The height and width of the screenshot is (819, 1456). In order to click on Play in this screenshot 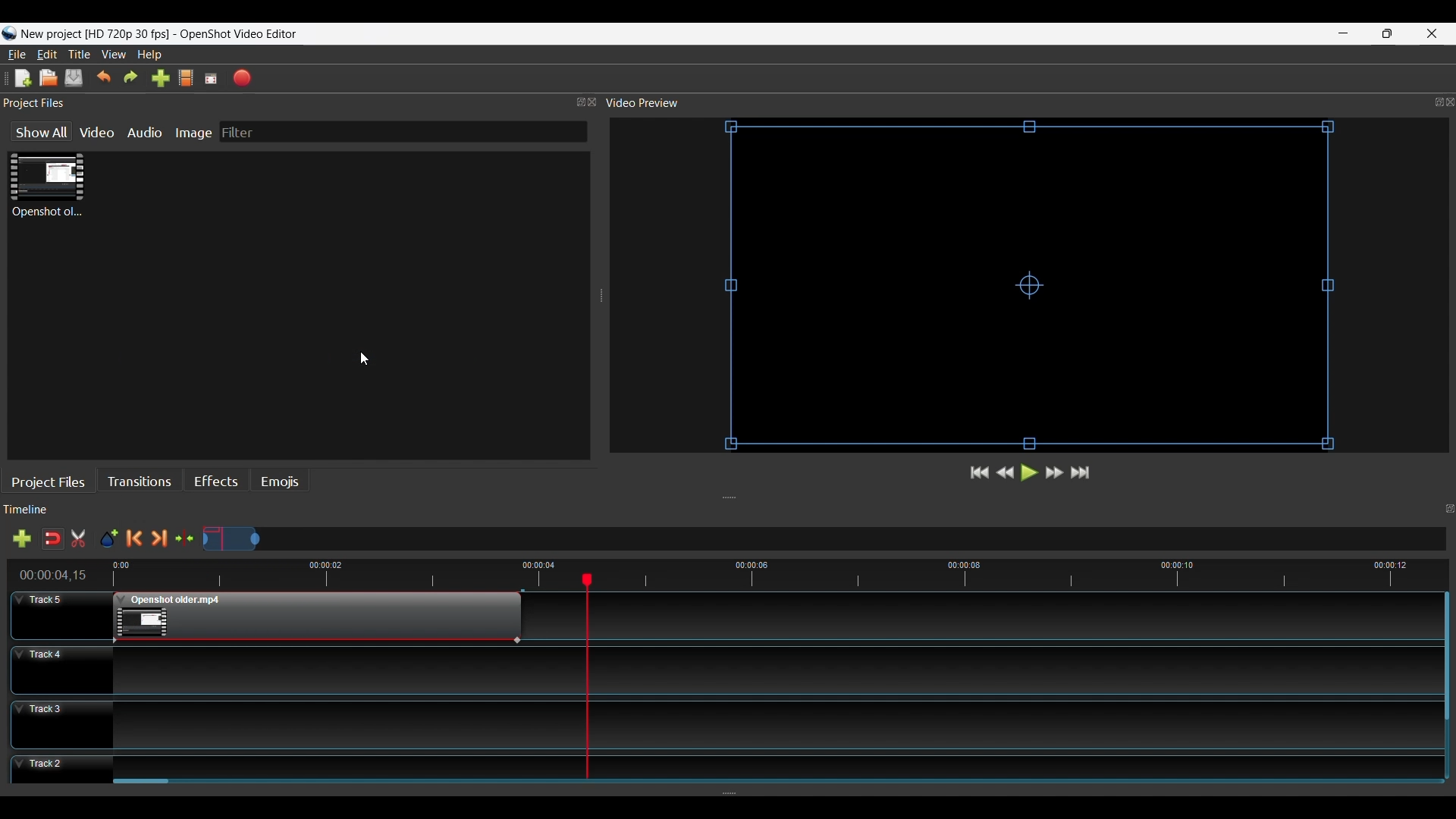, I will do `click(1028, 475)`.